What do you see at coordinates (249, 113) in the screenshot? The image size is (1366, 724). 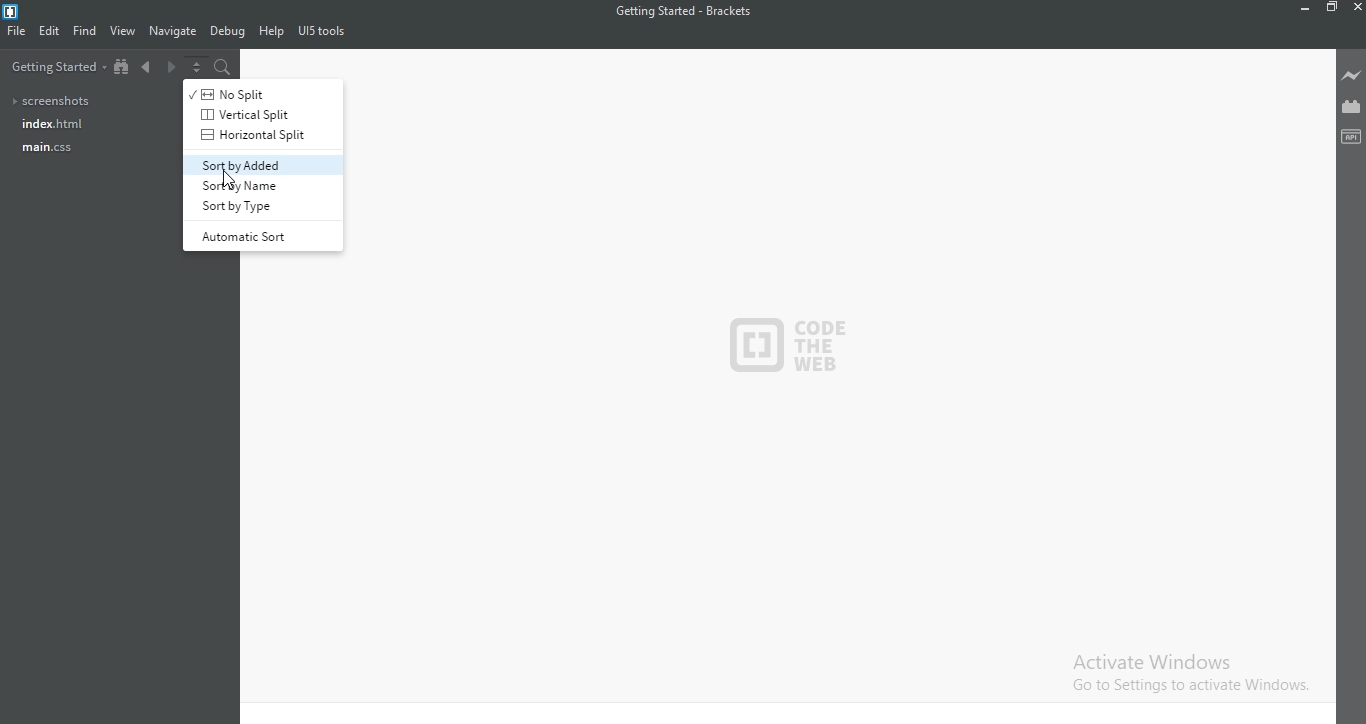 I see `vertical split` at bounding box center [249, 113].